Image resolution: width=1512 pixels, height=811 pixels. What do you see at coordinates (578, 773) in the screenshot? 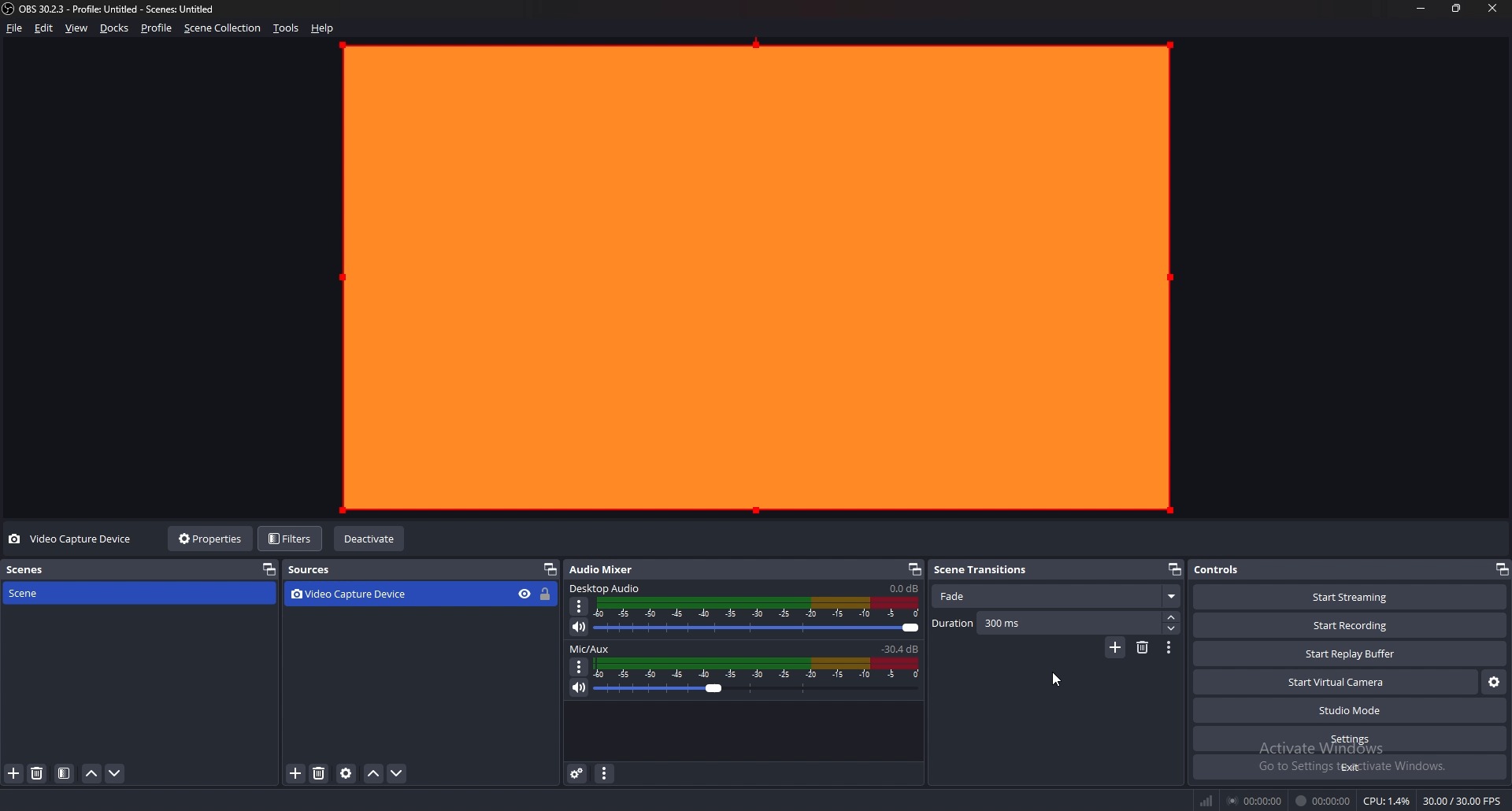
I see `audio mixer settings` at bounding box center [578, 773].